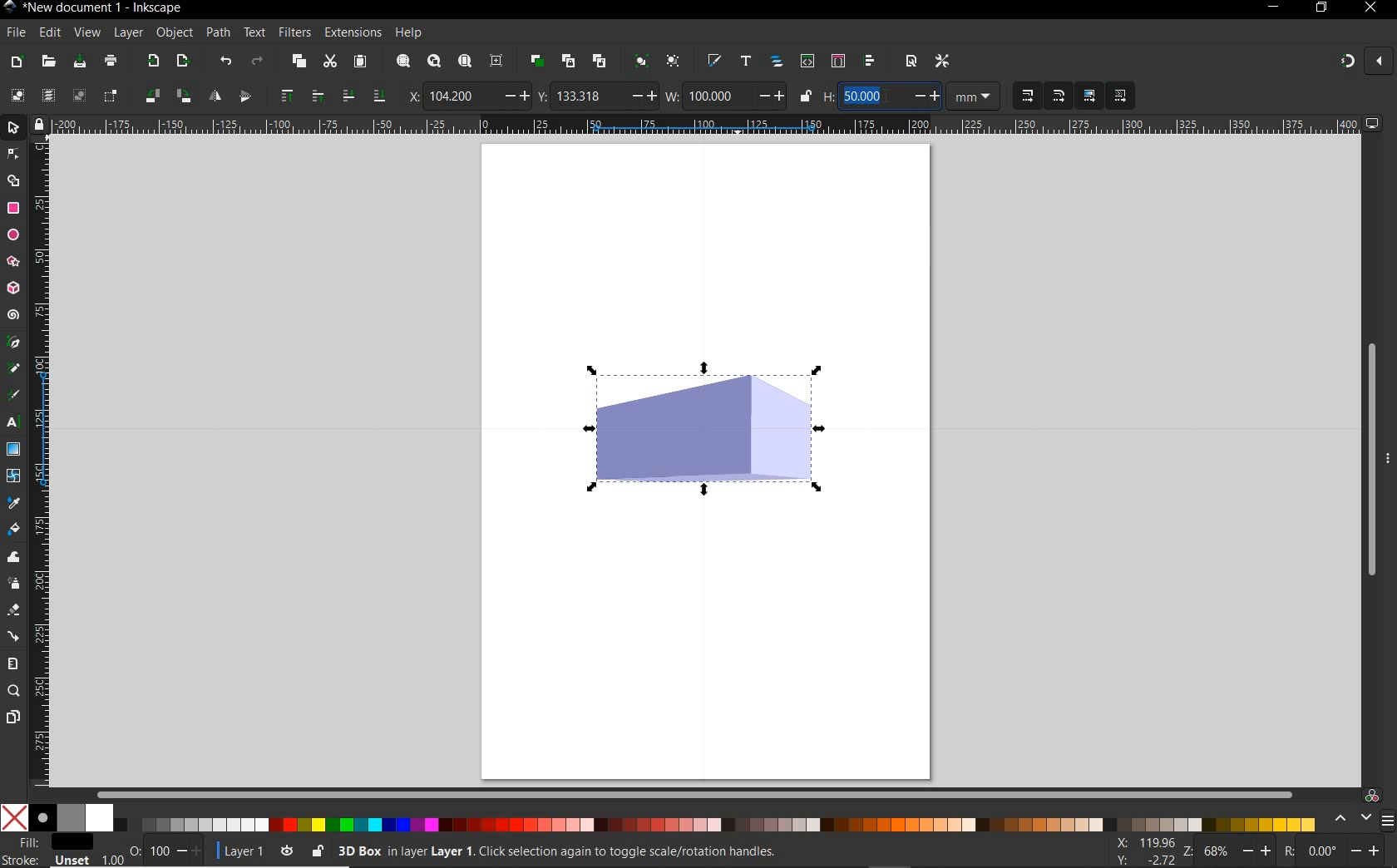 This screenshot has height=868, width=1397. Describe the element at coordinates (1286, 851) in the screenshot. I see `rotation` at that location.